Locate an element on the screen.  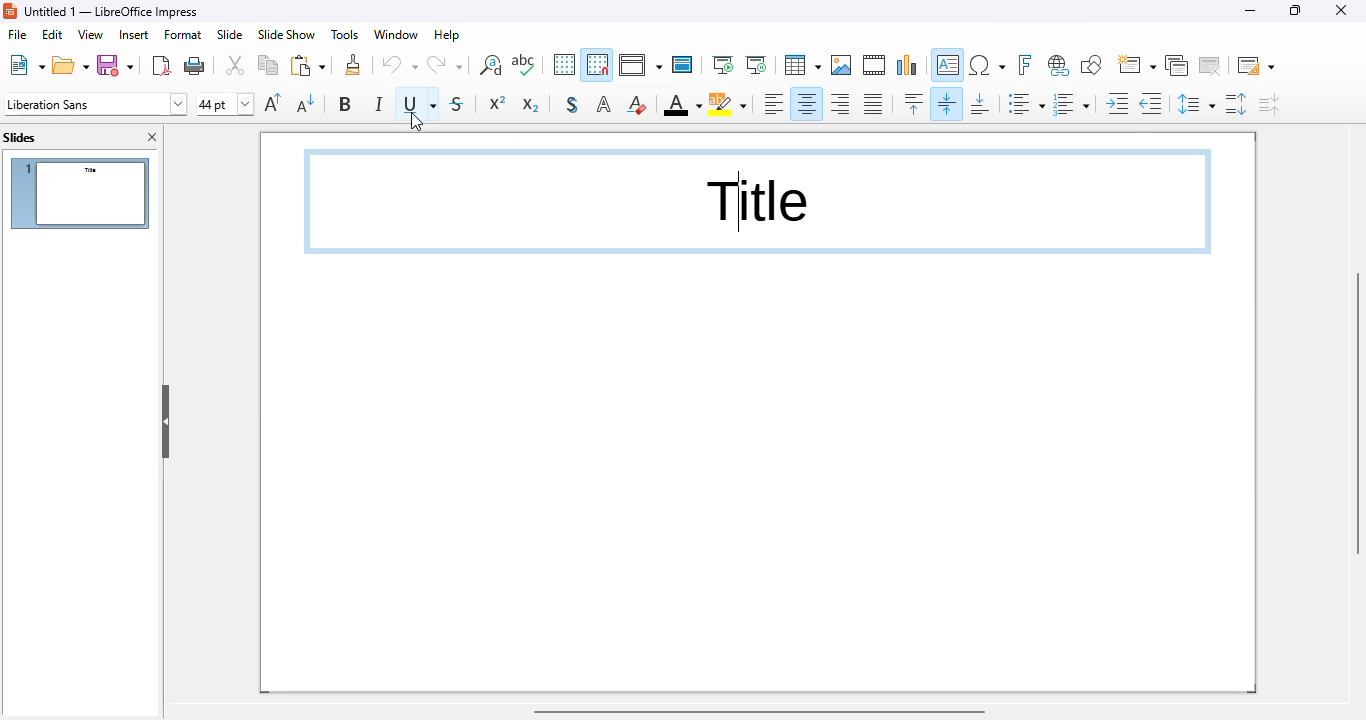
content box is located at coordinates (758, 201).